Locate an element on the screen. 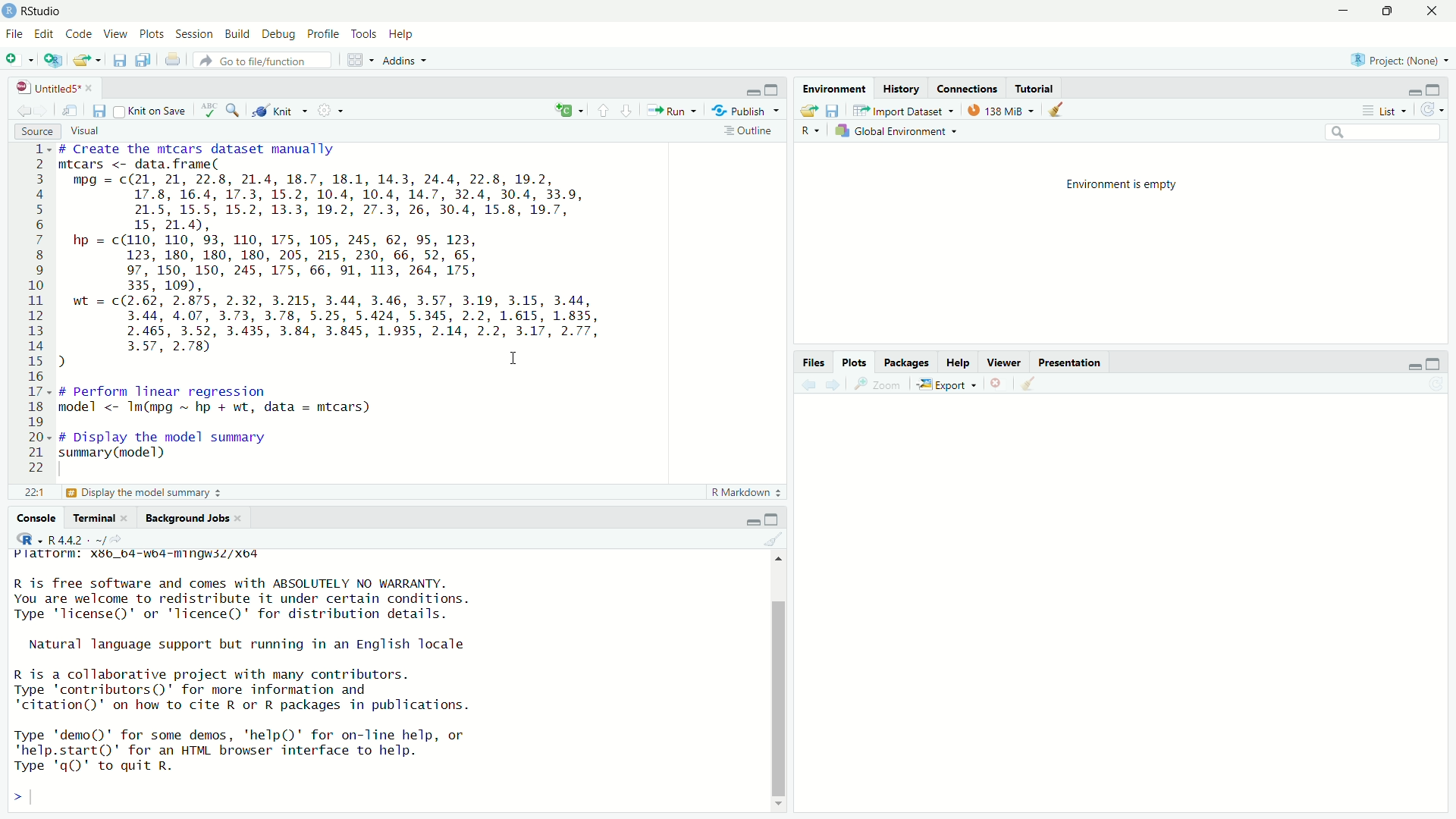 The height and width of the screenshot is (819, 1456). scroll bar is located at coordinates (780, 699).